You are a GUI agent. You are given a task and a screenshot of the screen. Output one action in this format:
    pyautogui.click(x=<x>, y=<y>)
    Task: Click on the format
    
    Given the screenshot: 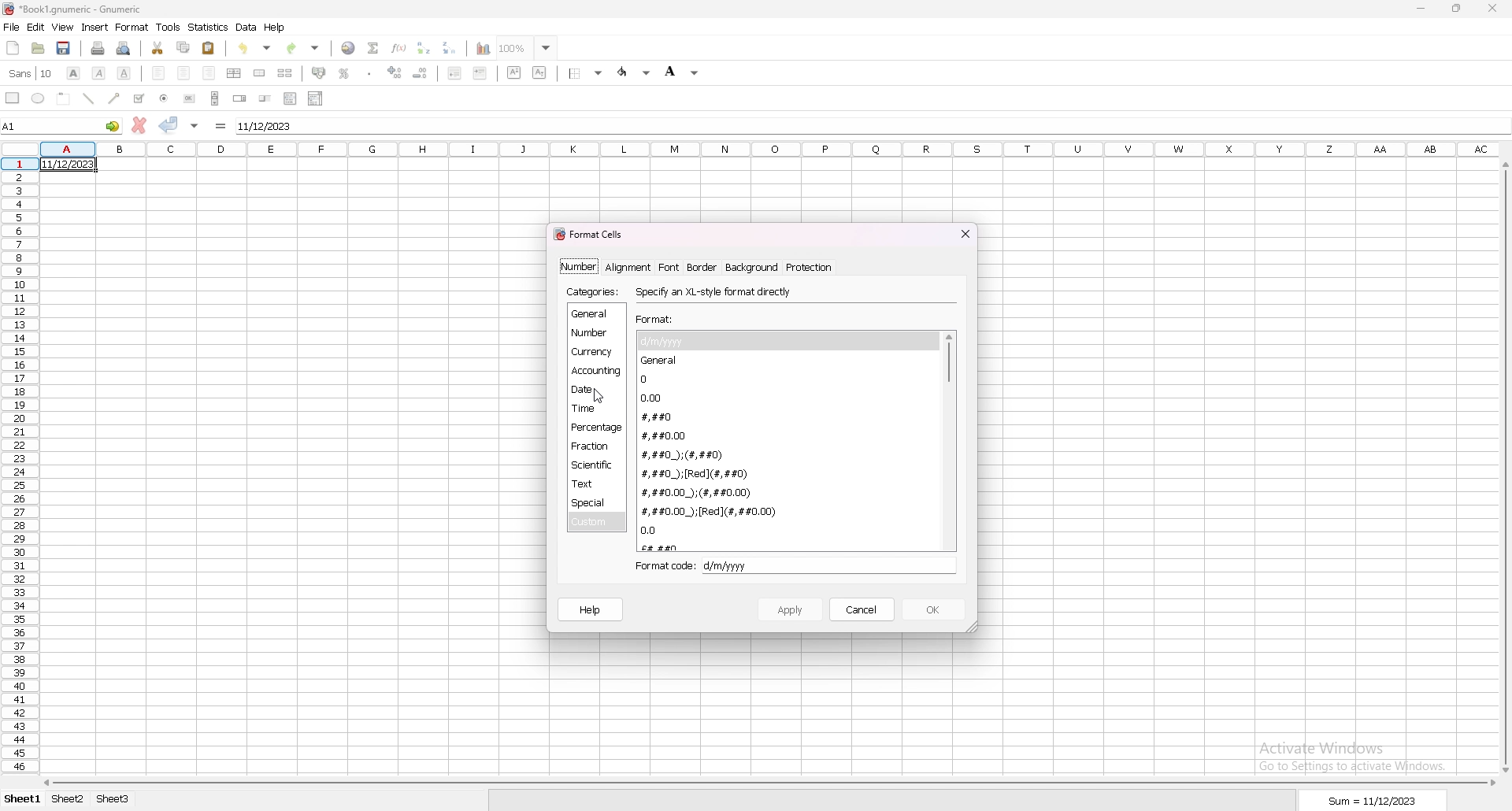 What is the action you would take?
    pyautogui.click(x=656, y=319)
    